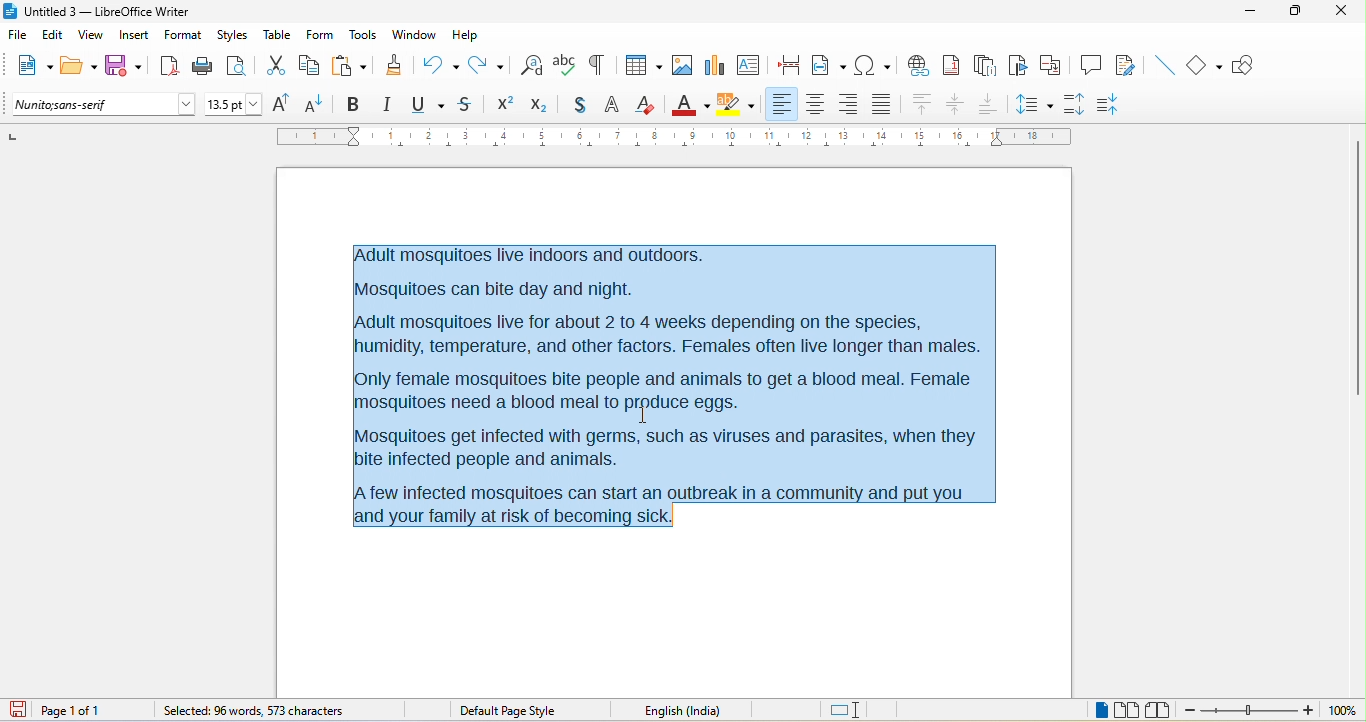 This screenshot has height=722, width=1366. What do you see at coordinates (502, 106) in the screenshot?
I see `Superscript` at bounding box center [502, 106].